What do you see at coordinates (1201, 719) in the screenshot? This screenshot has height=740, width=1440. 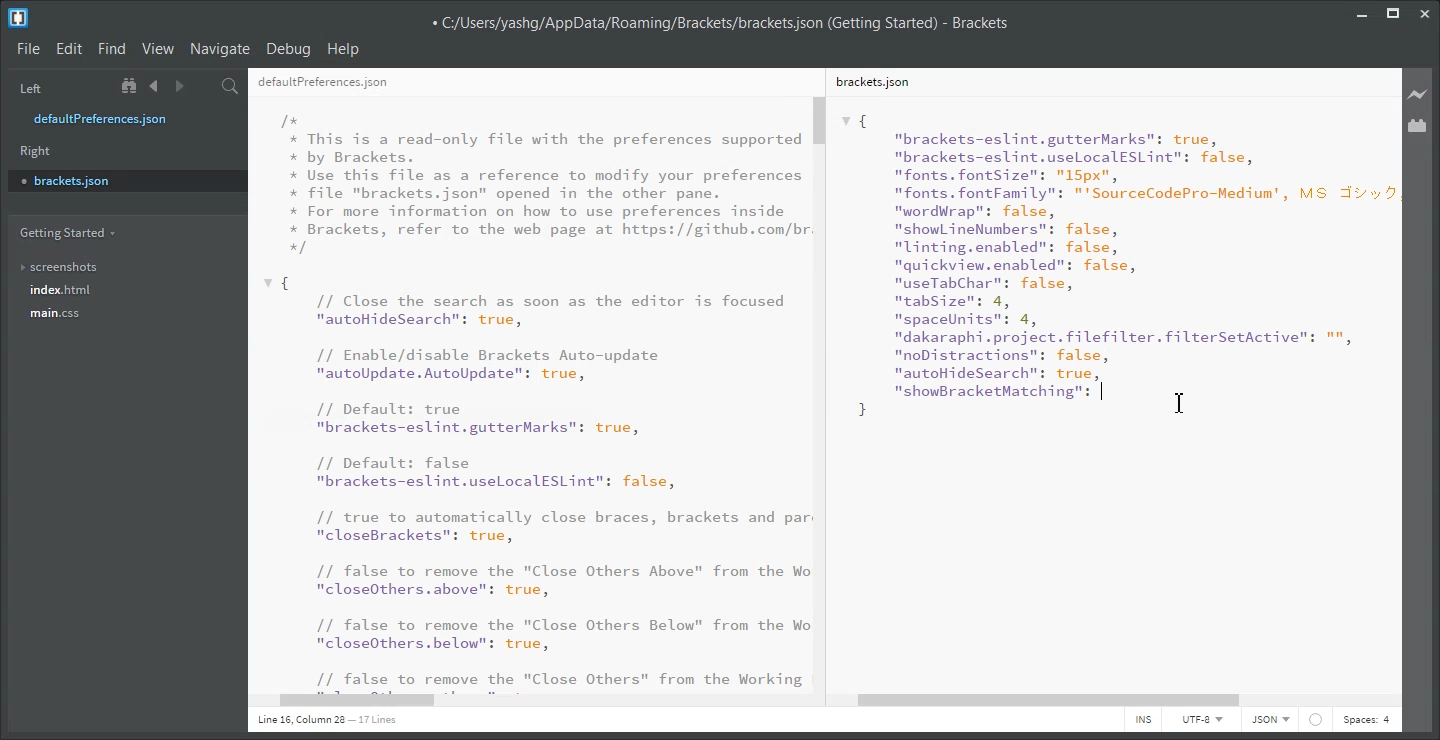 I see `UTF-8` at bounding box center [1201, 719].